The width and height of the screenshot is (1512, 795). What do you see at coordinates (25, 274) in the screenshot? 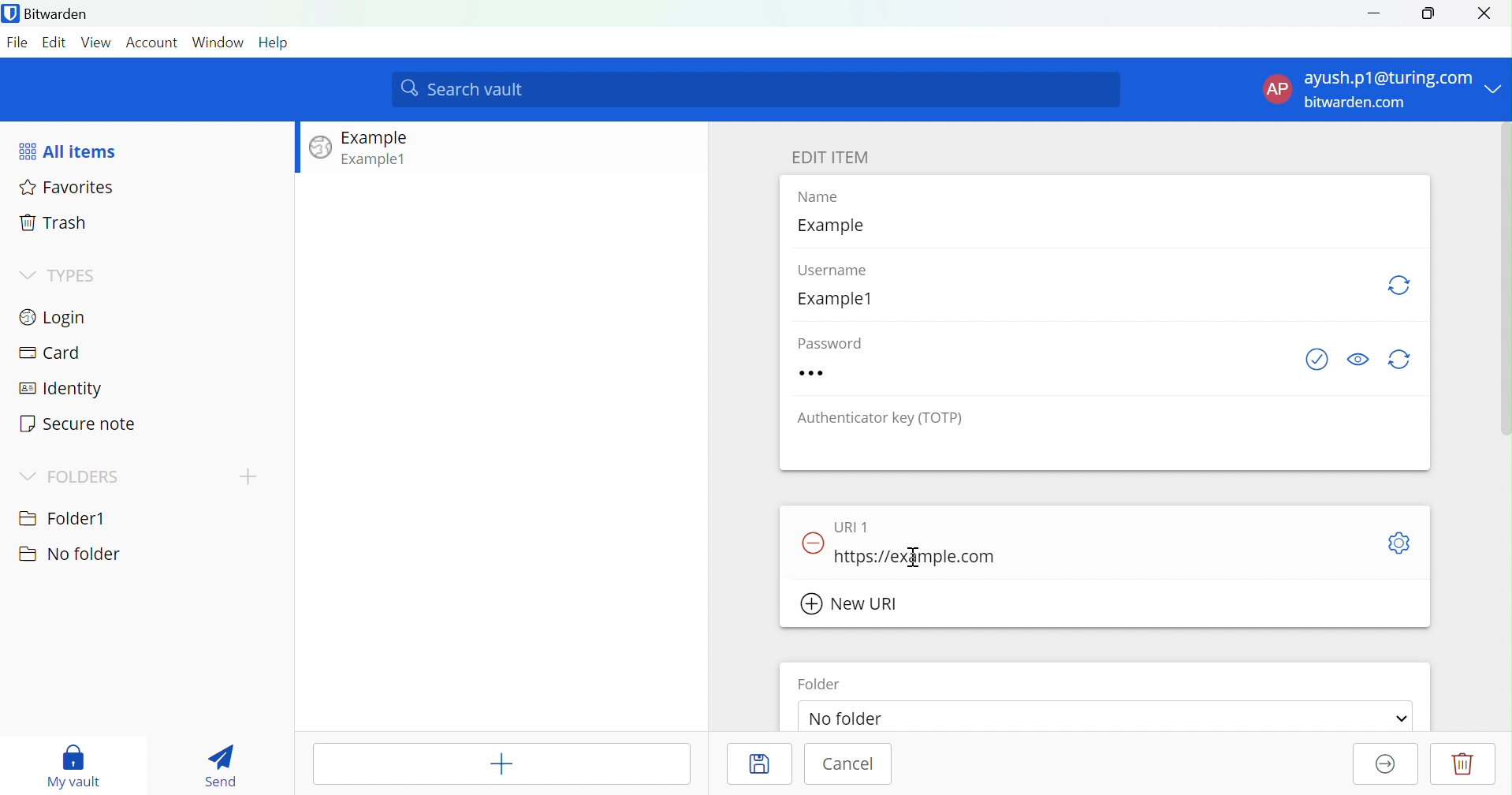
I see `Drop Down` at bounding box center [25, 274].